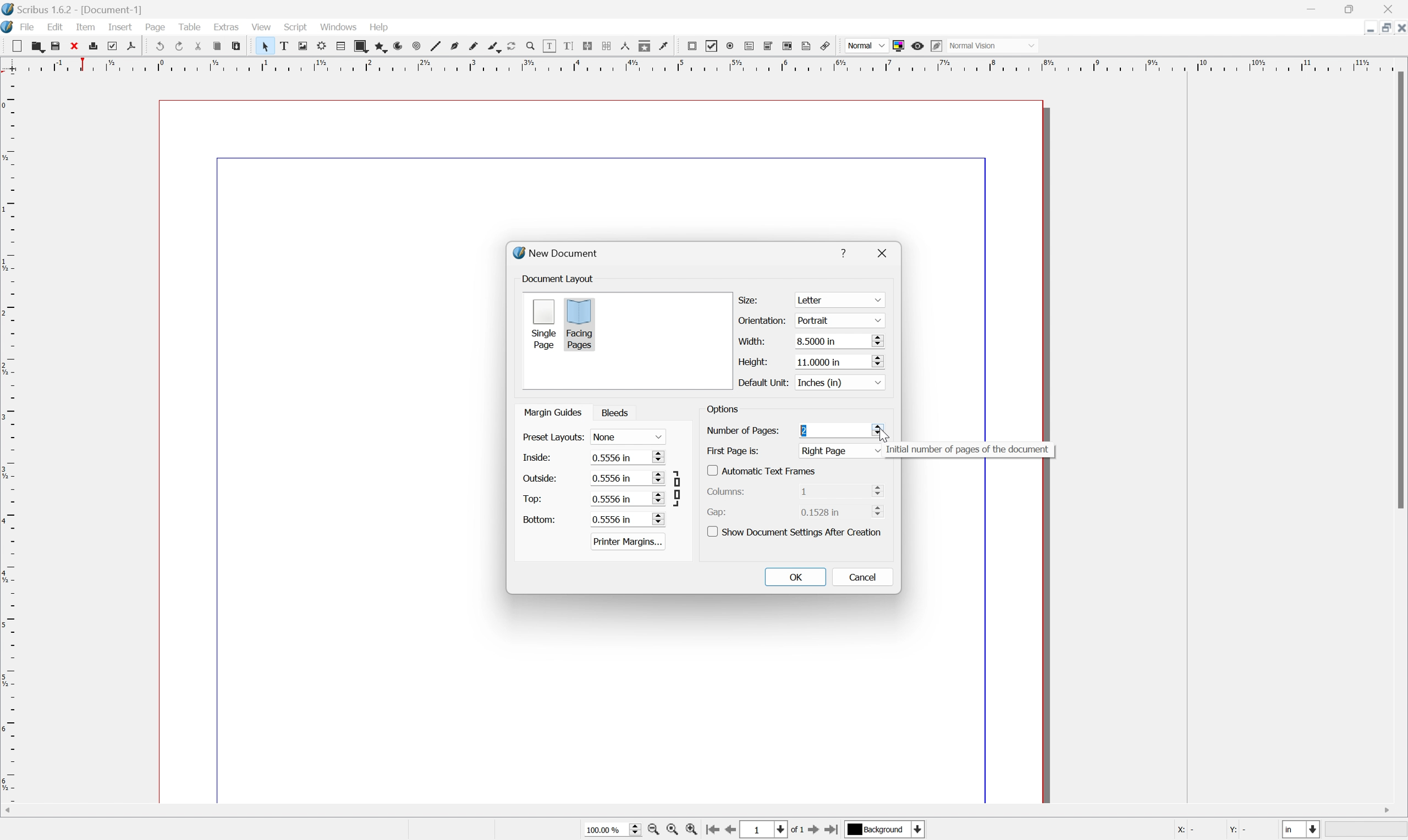 The height and width of the screenshot is (840, 1408). What do you see at coordinates (806, 431) in the screenshot?
I see `2` at bounding box center [806, 431].